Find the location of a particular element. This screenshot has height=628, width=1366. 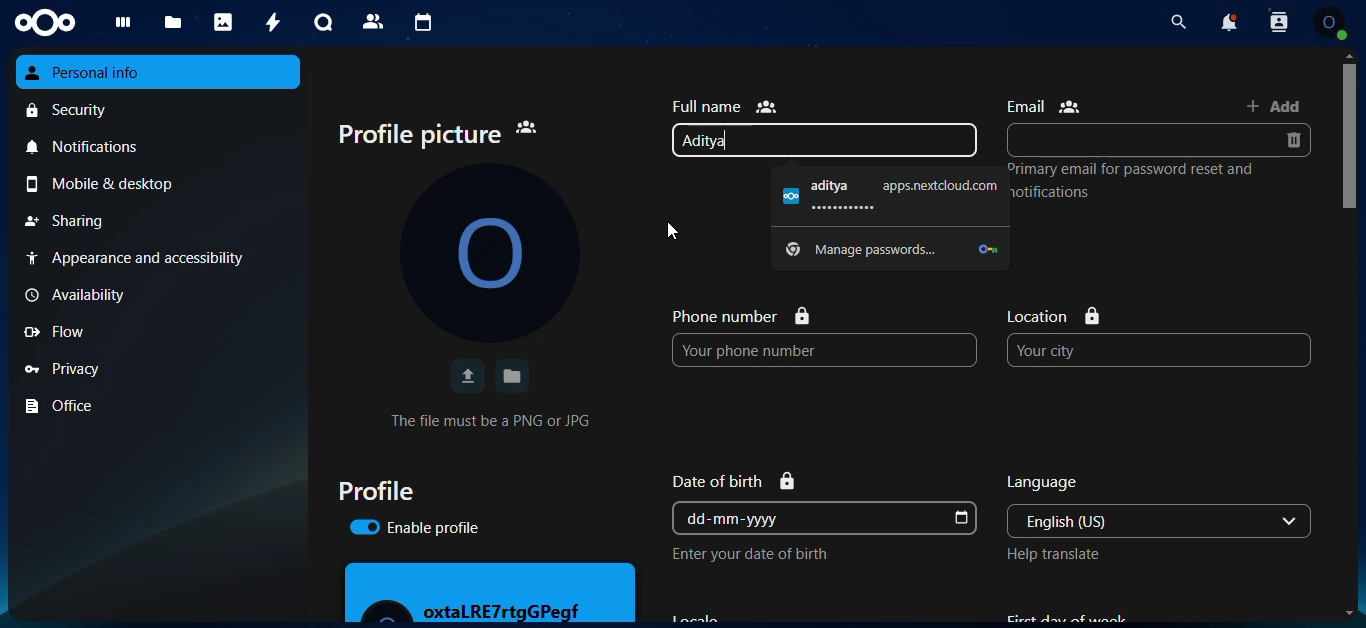

profile preview is located at coordinates (491, 592).